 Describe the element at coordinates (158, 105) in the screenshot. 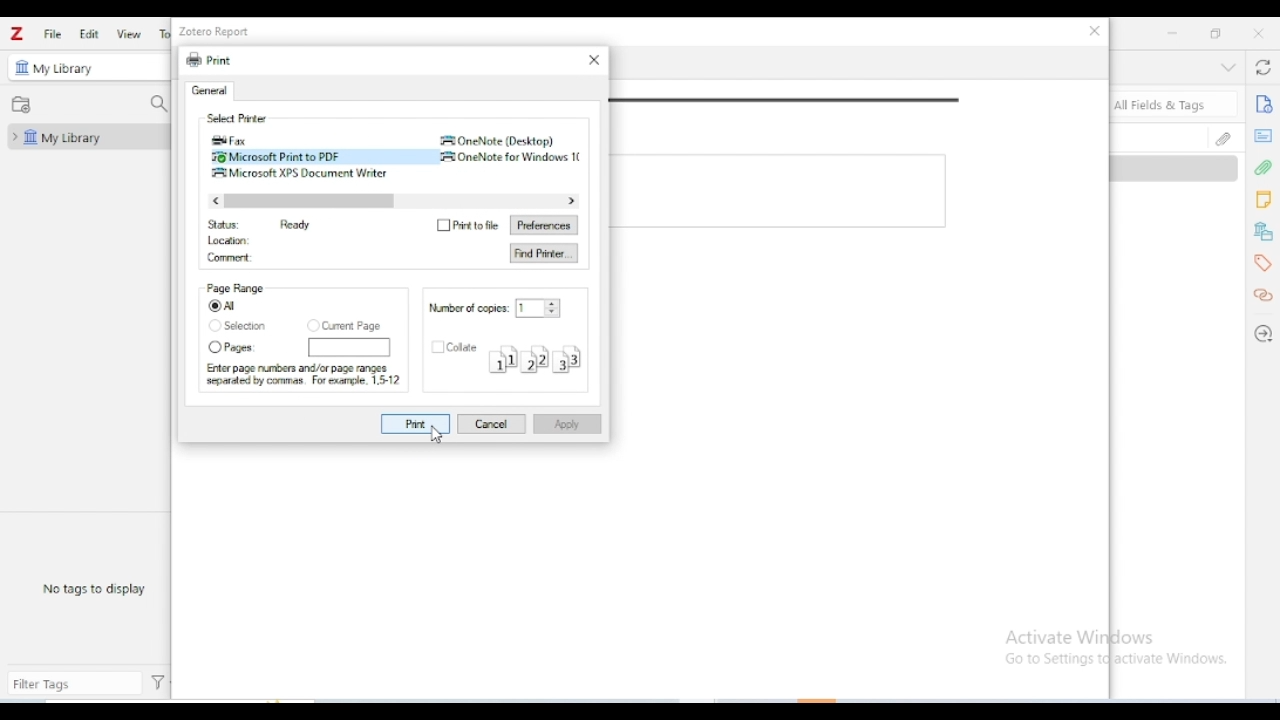

I see `filter collections` at that location.